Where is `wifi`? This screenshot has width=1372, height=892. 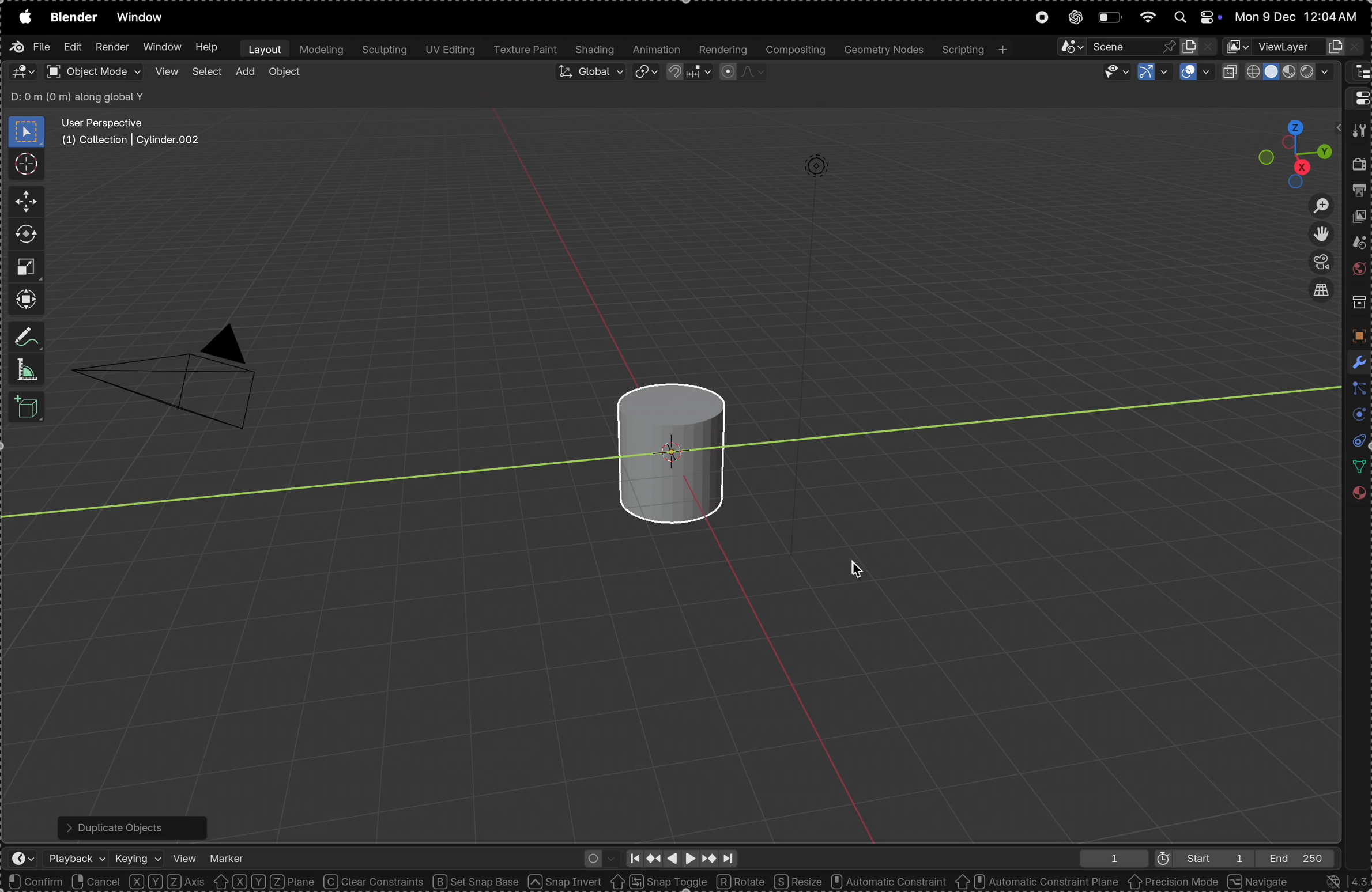
wifi is located at coordinates (1147, 16).